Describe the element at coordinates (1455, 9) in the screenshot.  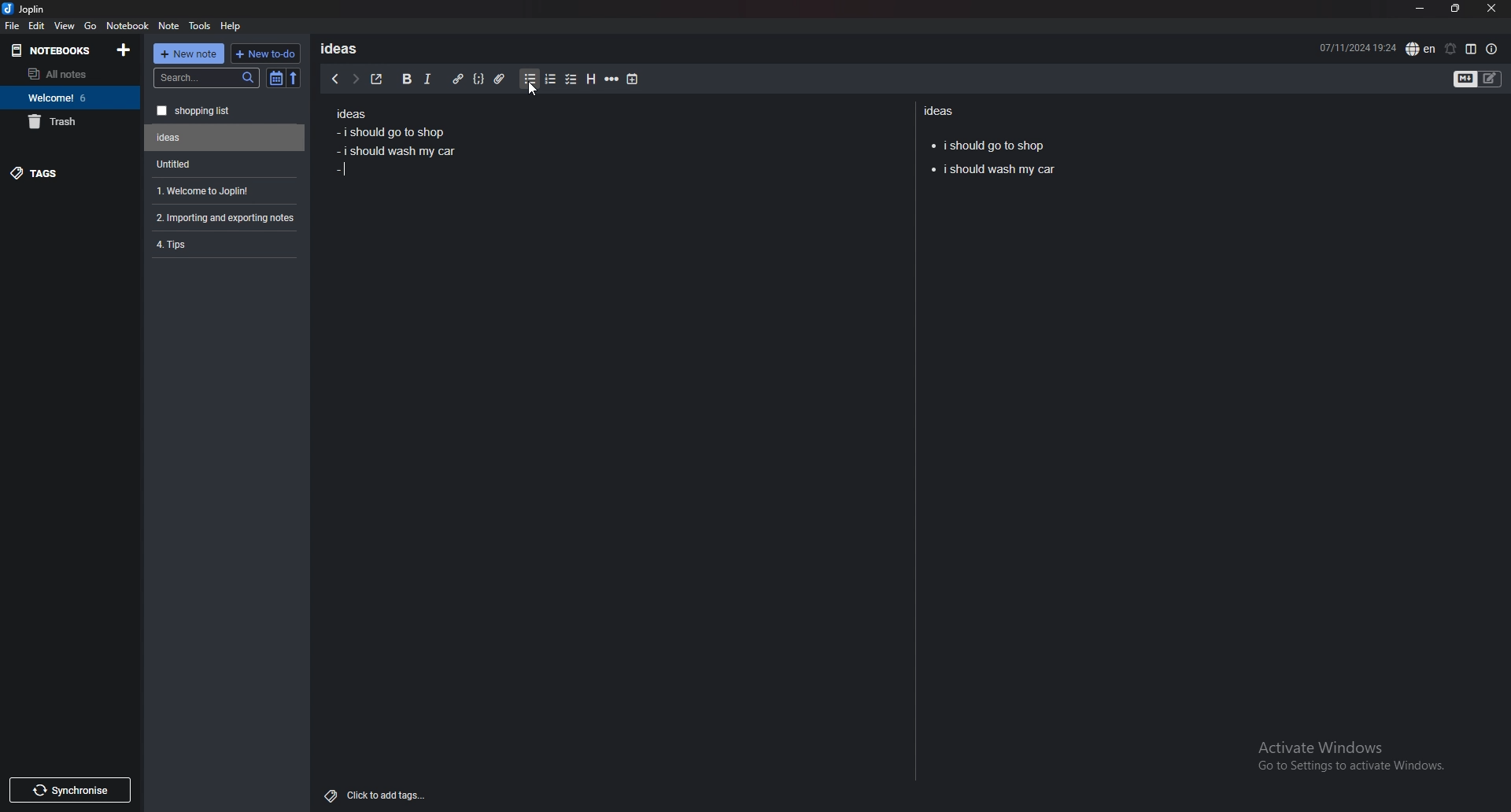
I see `resize` at that location.